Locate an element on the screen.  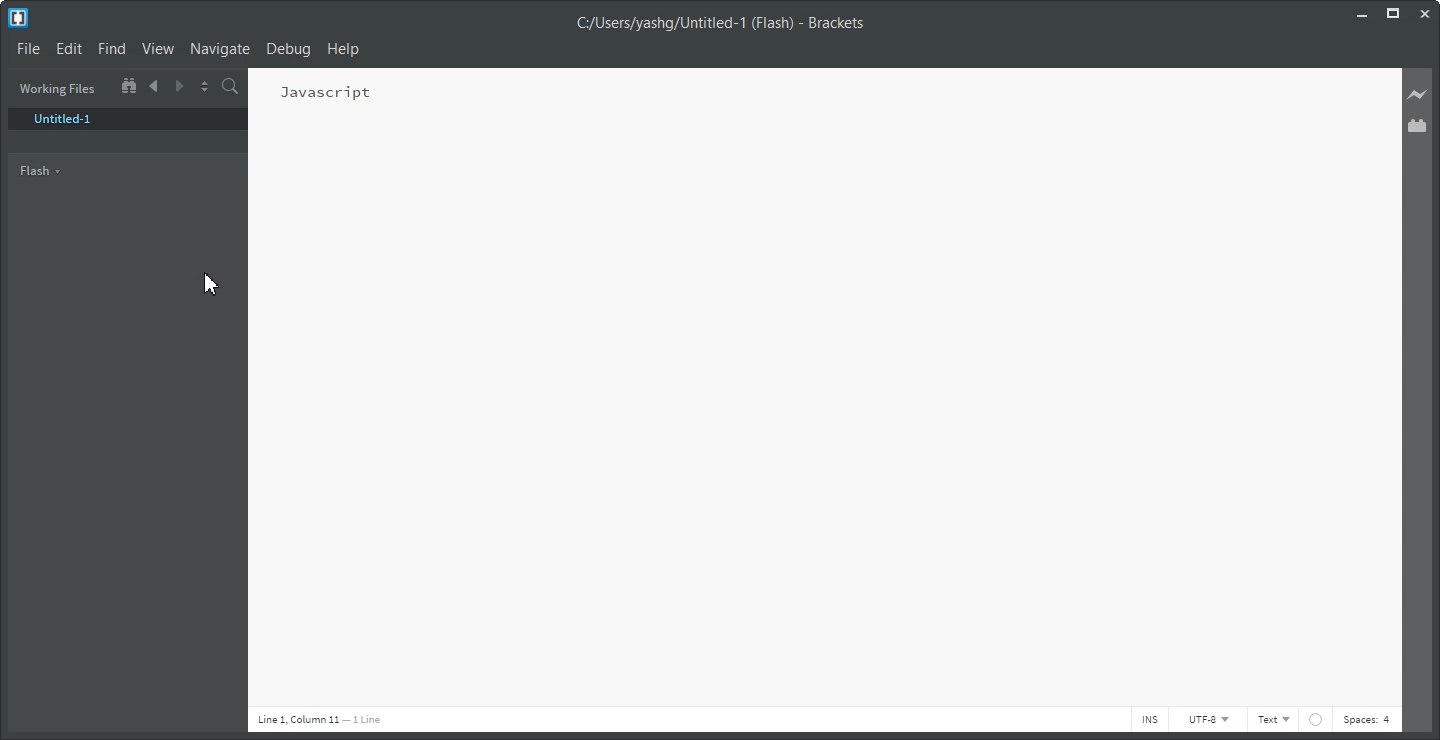
Live Preview is located at coordinates (1419, 95).